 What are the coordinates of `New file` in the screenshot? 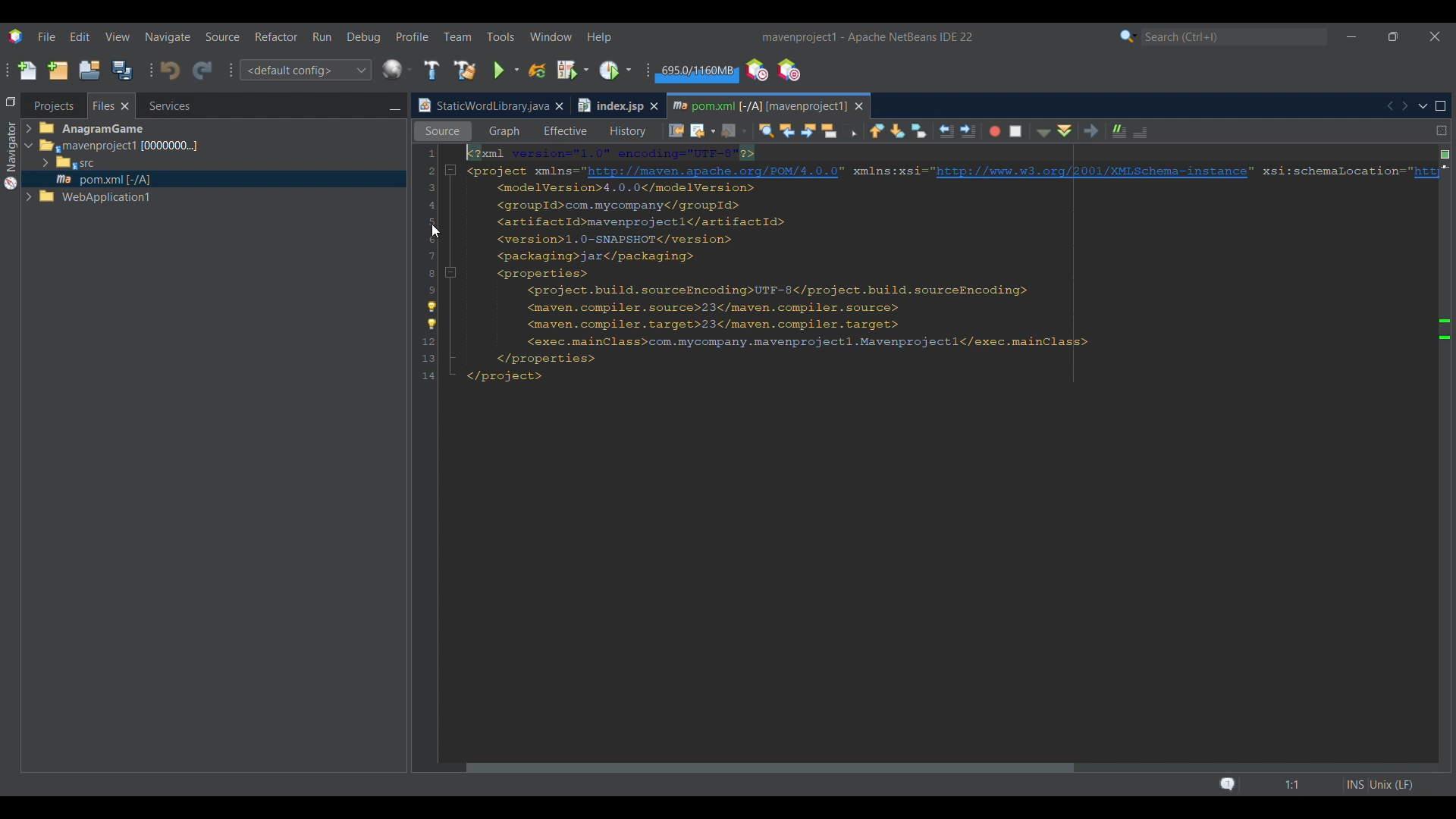 It's located at (27, 71).